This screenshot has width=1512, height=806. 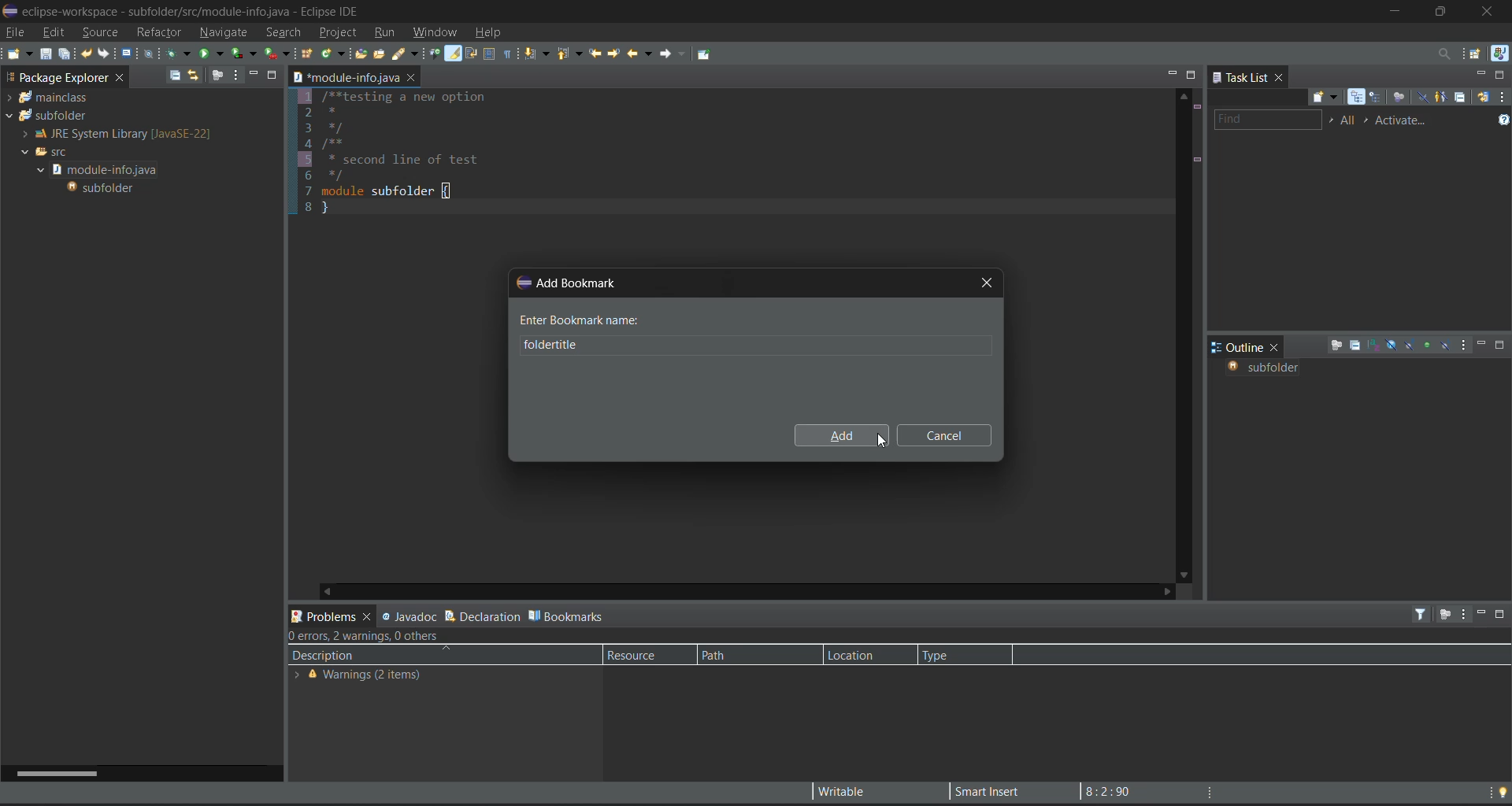 What do you see at coordinates (1374, 345) in the screenshot?
I see `sort` at bounding box center [1374, 345].